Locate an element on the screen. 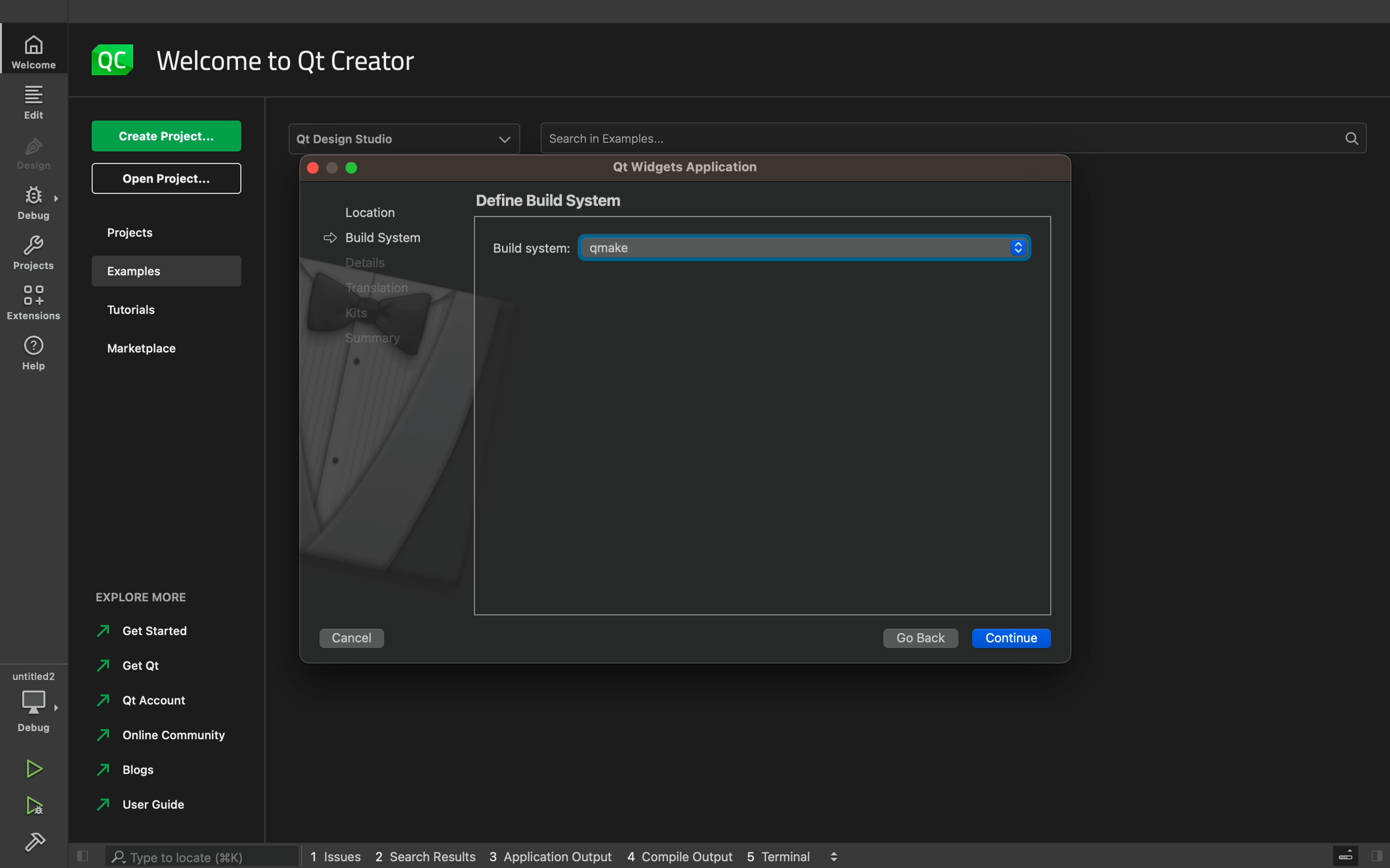 The height and width of the screenshot is (868, 1390). welcome to qt creator is located at coordinates (296, 61).